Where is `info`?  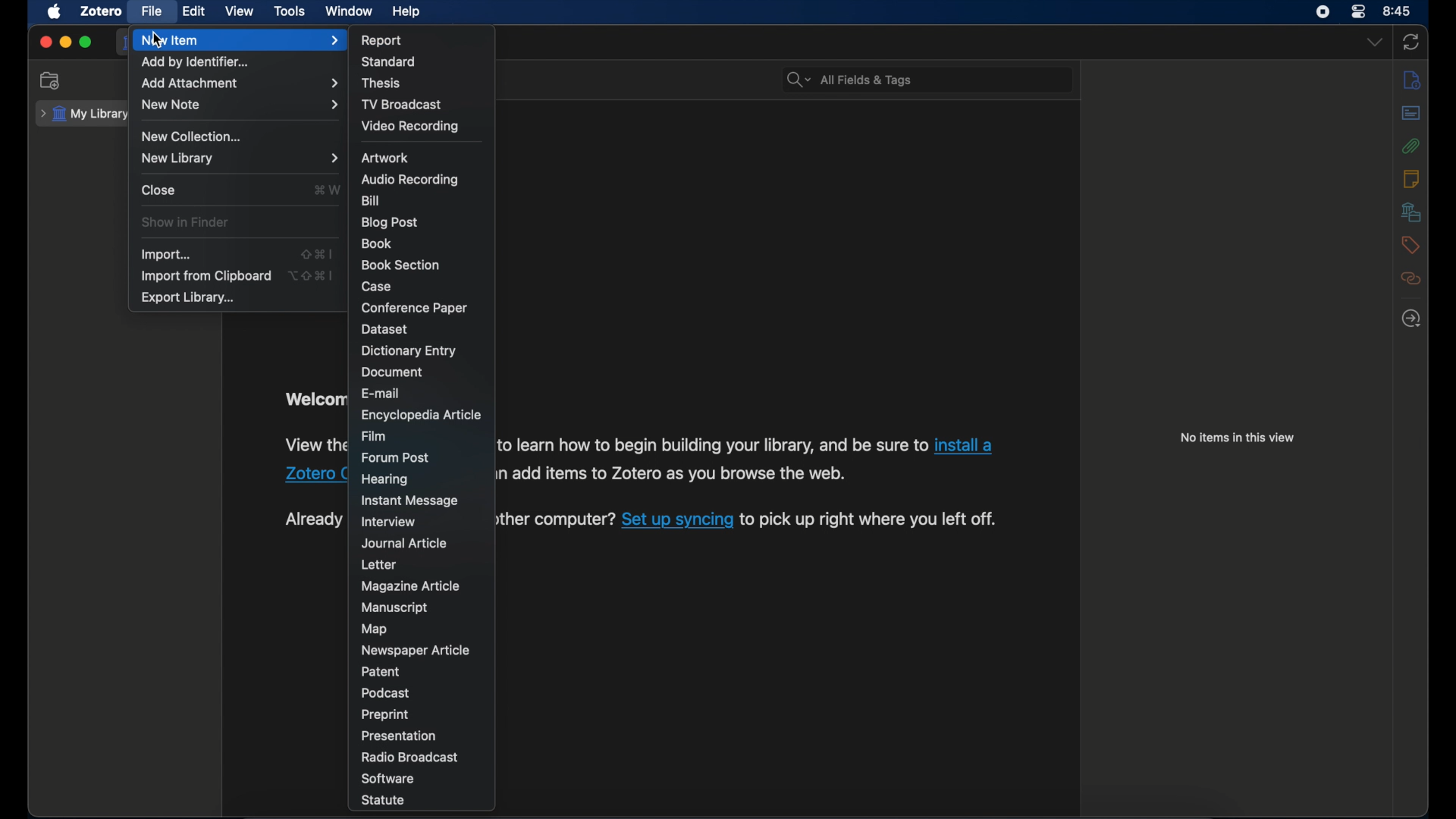
info is located at coordinates (1414, 80).